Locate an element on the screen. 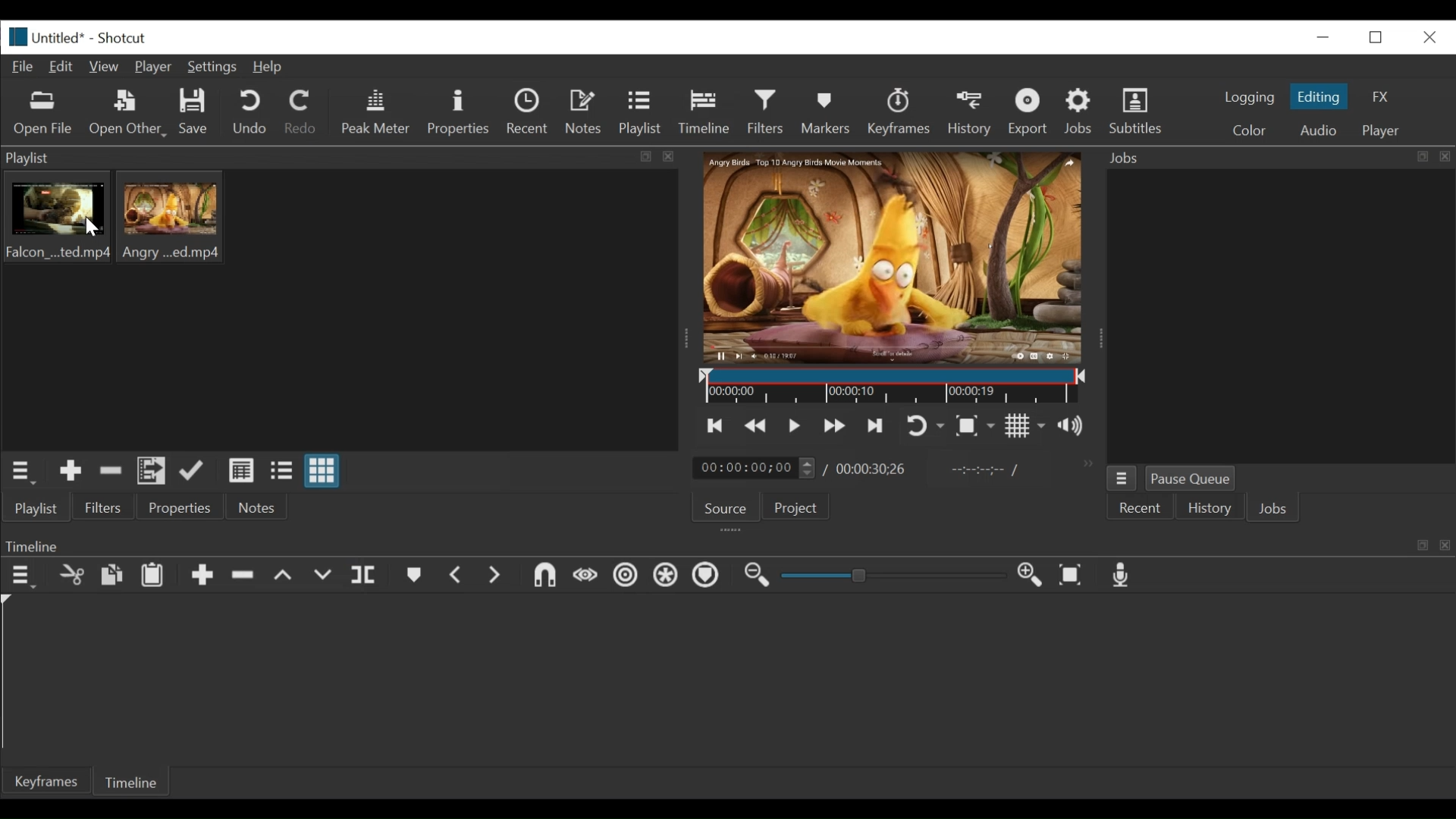 The image size is (1456, 819). skip to the previous point is located at coordinates (715, 426).